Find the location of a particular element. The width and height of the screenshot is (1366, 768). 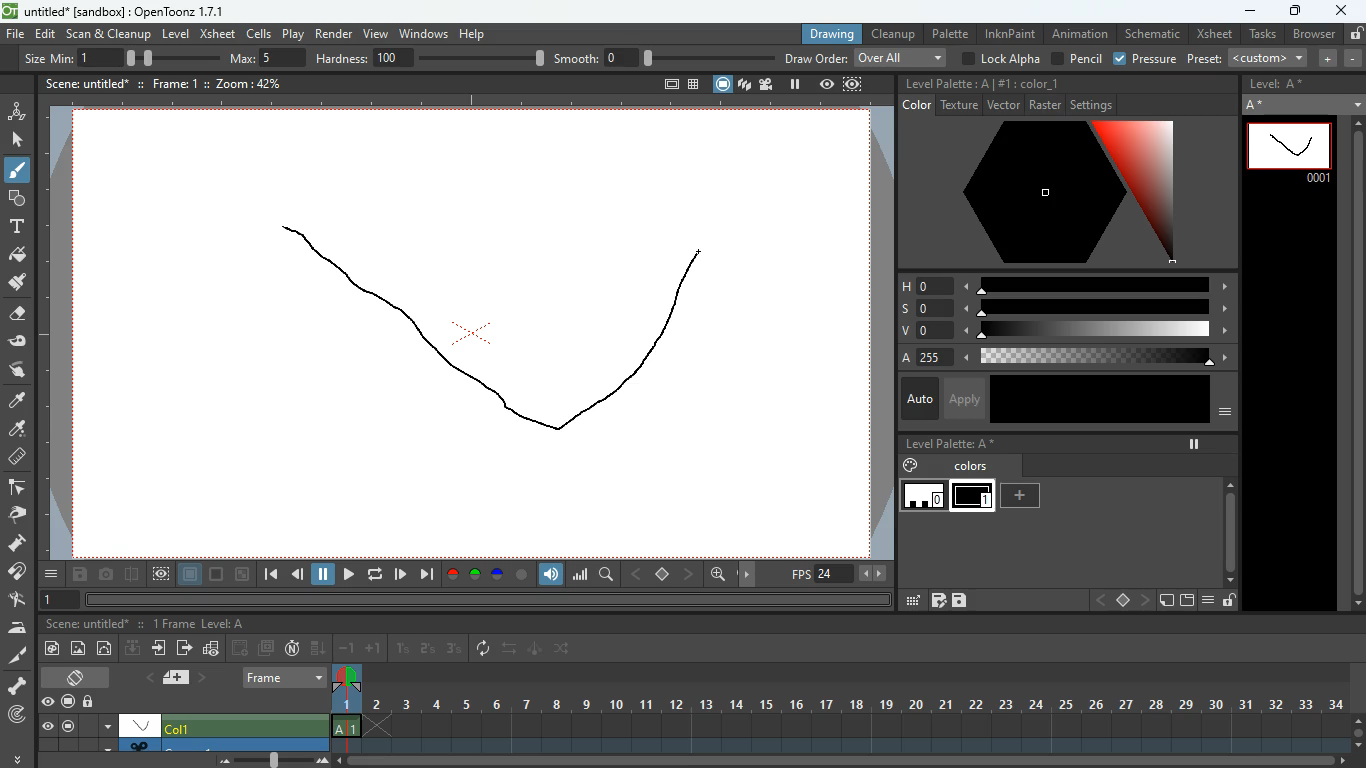

view is located at coordinates (827, 84).